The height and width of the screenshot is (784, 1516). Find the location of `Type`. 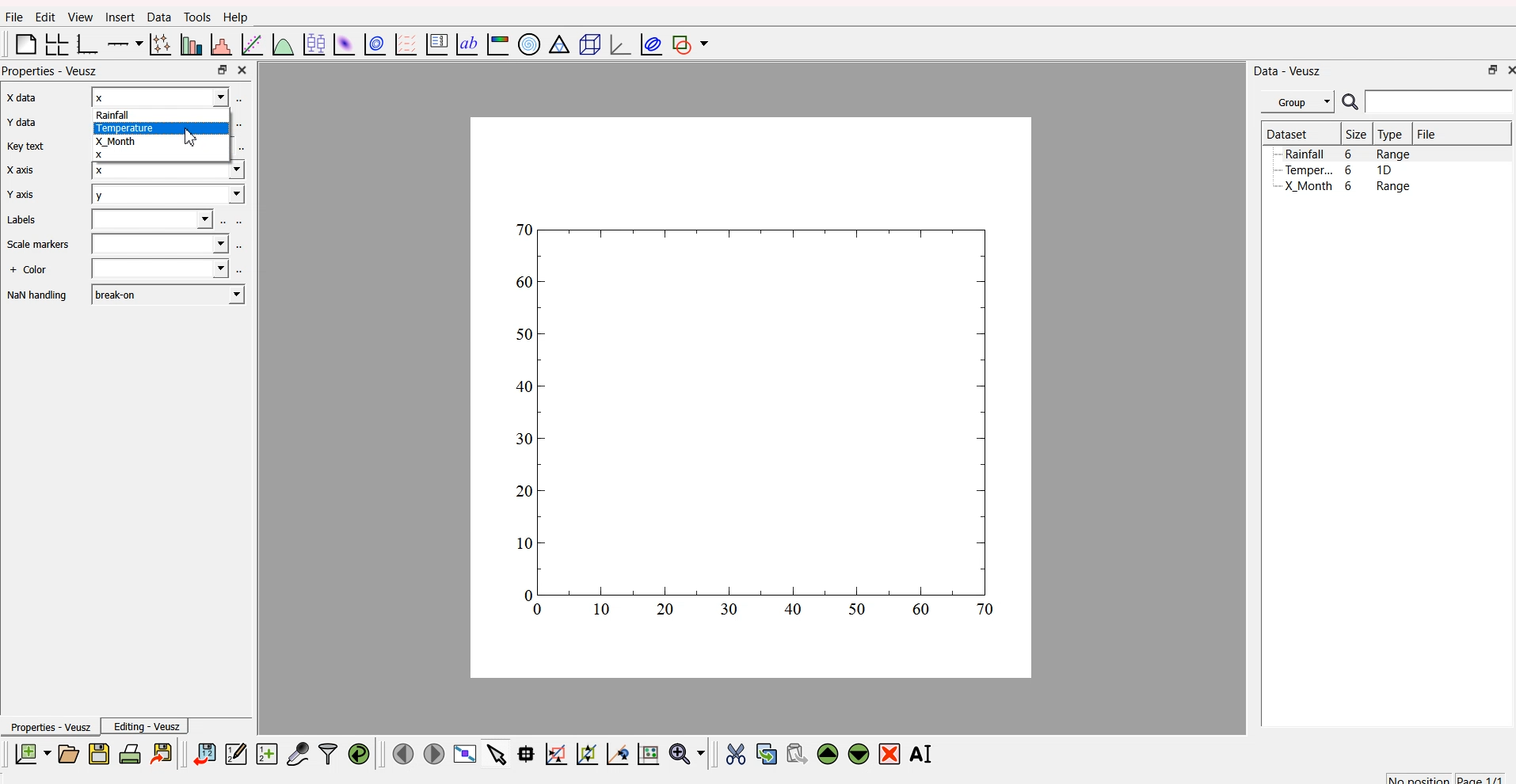

Type is located at coordinates (1391, 135).